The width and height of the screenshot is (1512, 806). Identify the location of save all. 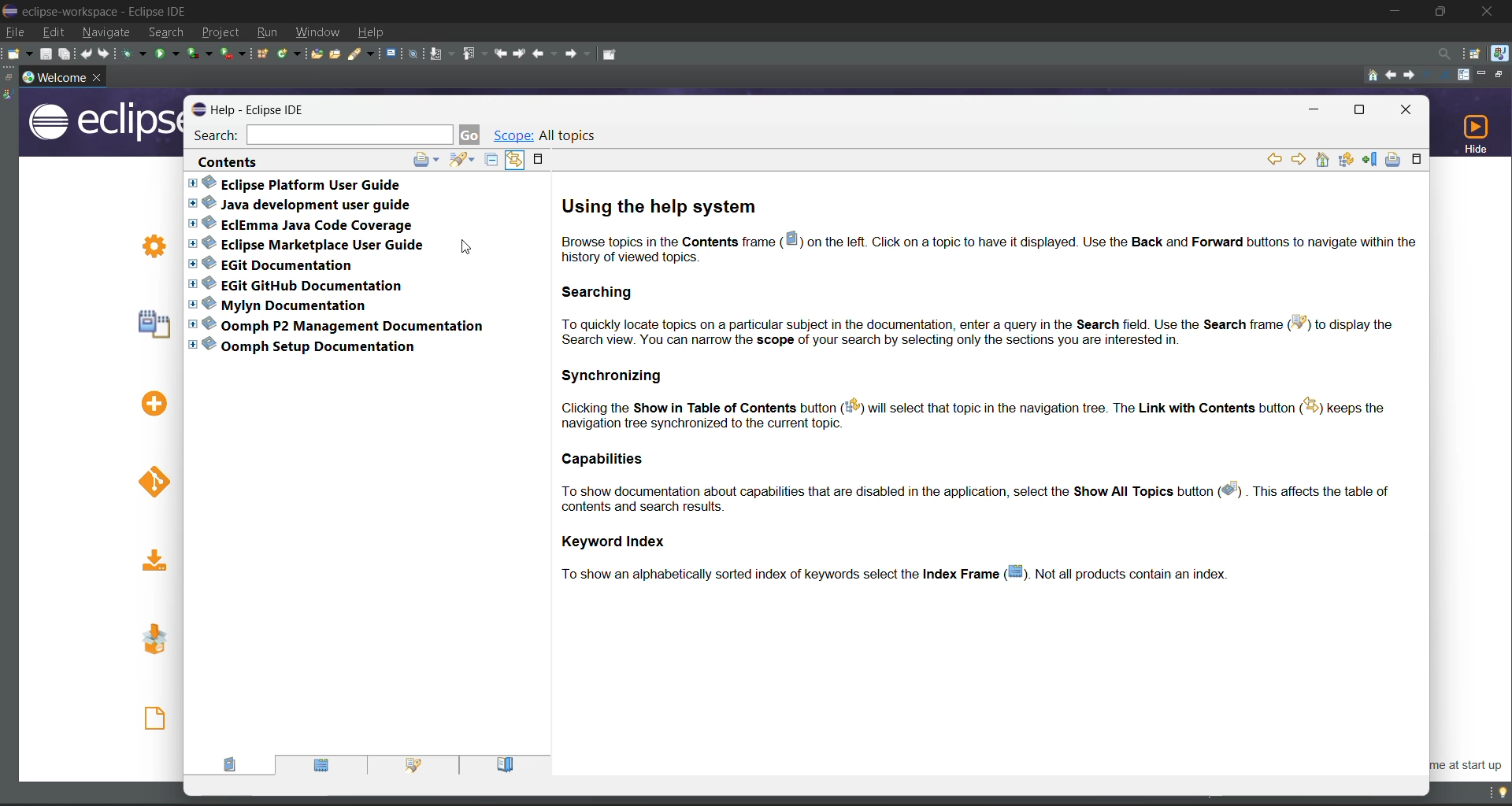
(65, 53).